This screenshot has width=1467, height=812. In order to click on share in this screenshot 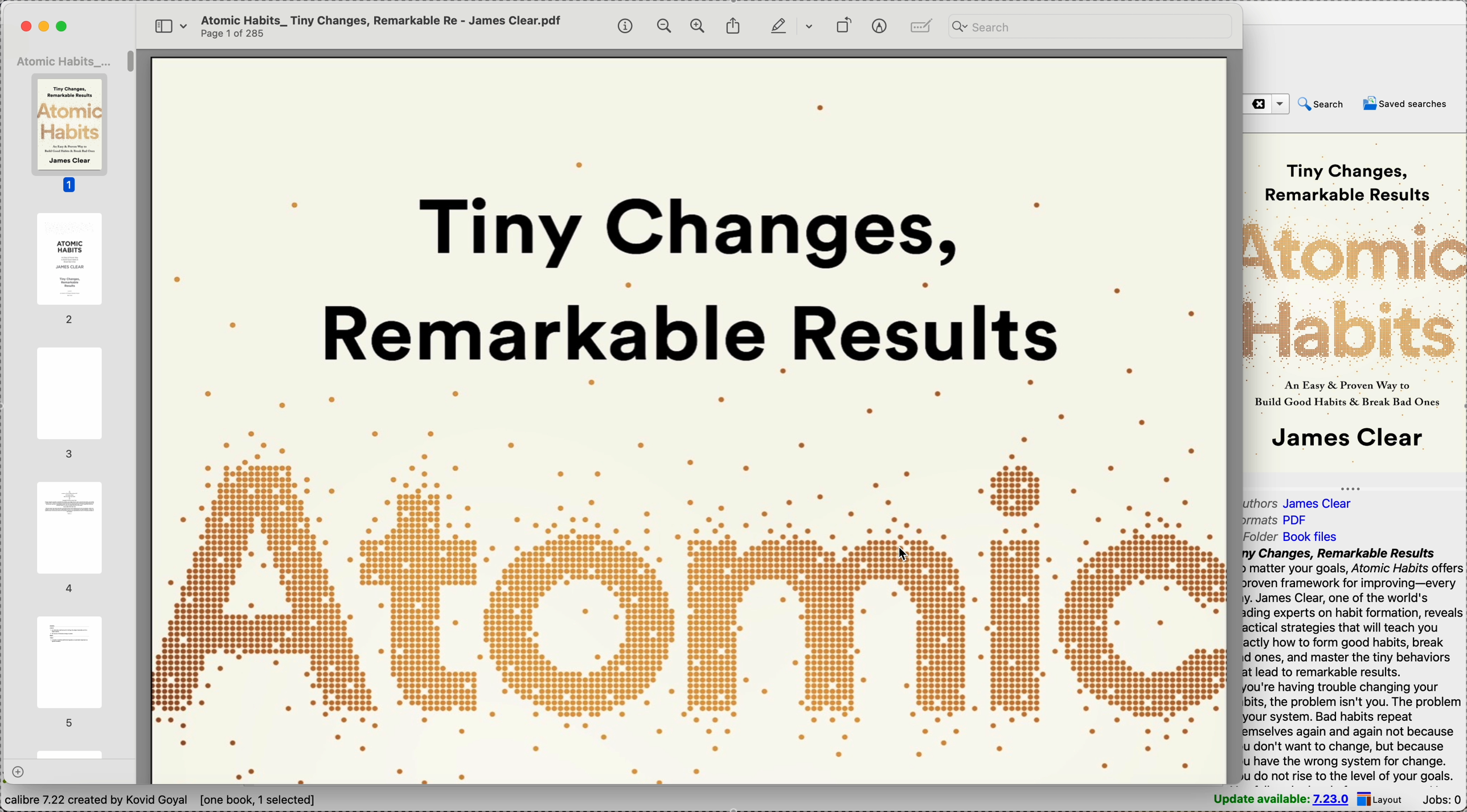, I will do `click(733, 26)`.